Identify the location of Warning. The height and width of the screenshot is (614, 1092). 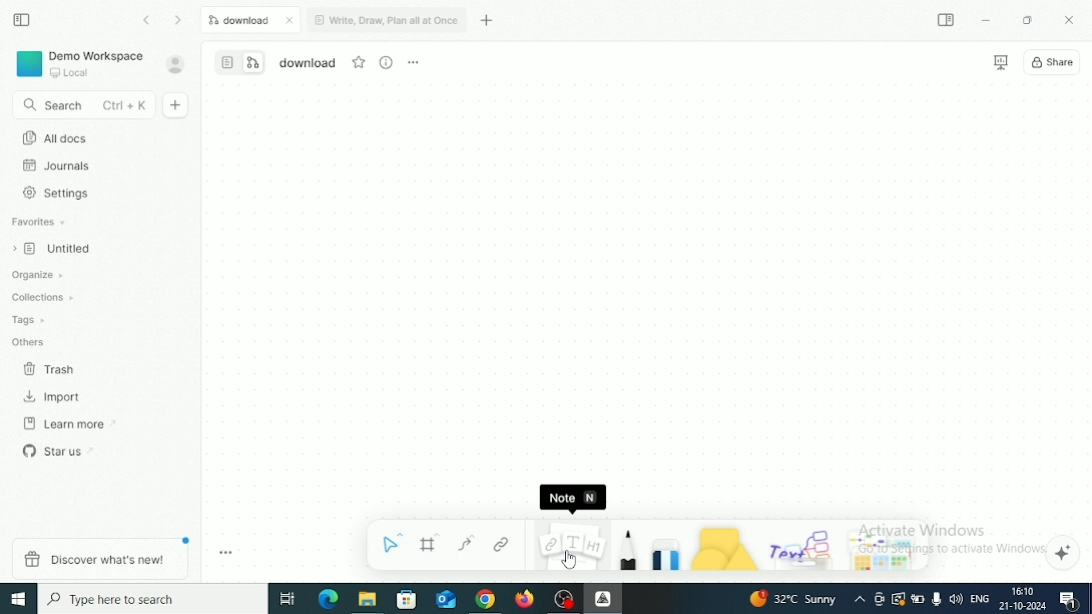
(1515, 1011).